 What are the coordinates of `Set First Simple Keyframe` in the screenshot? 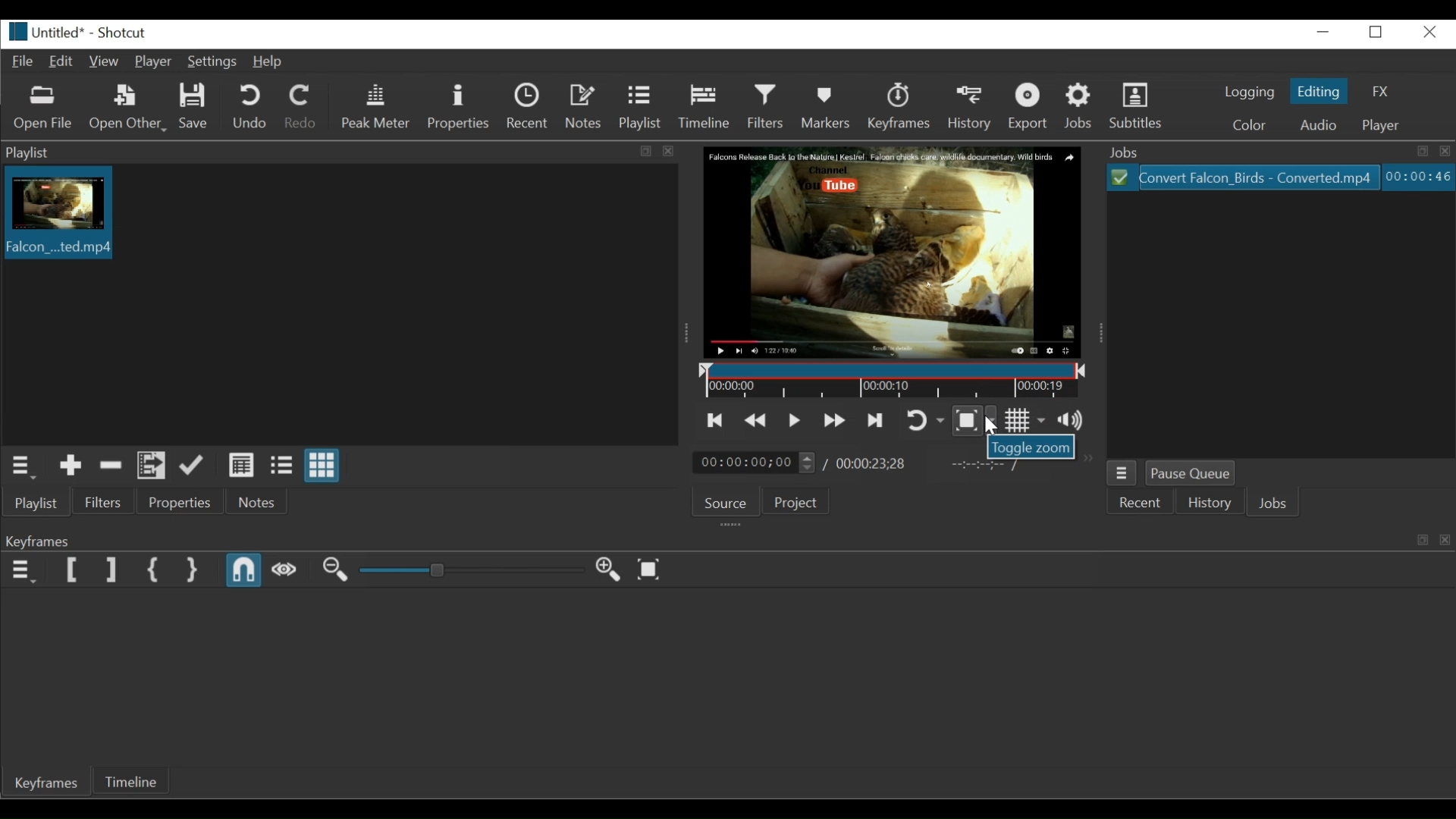 It's located at (152, 570).